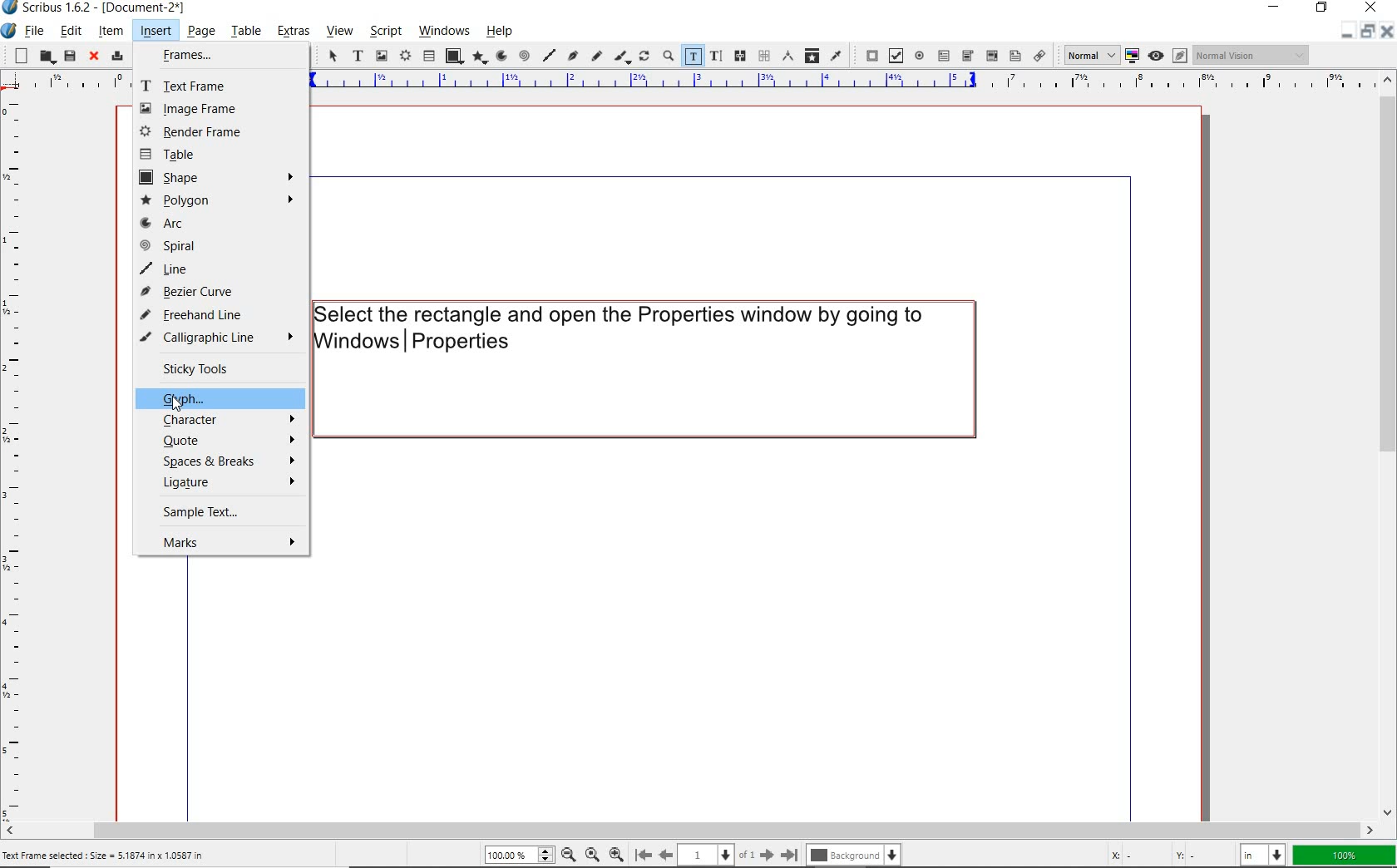 Image resolution: width=1397 pixels, height=868 pixels. What do you see at coordinates (202, 57) in the screenshot?
I see `frames` at bounding box center [202, 57].